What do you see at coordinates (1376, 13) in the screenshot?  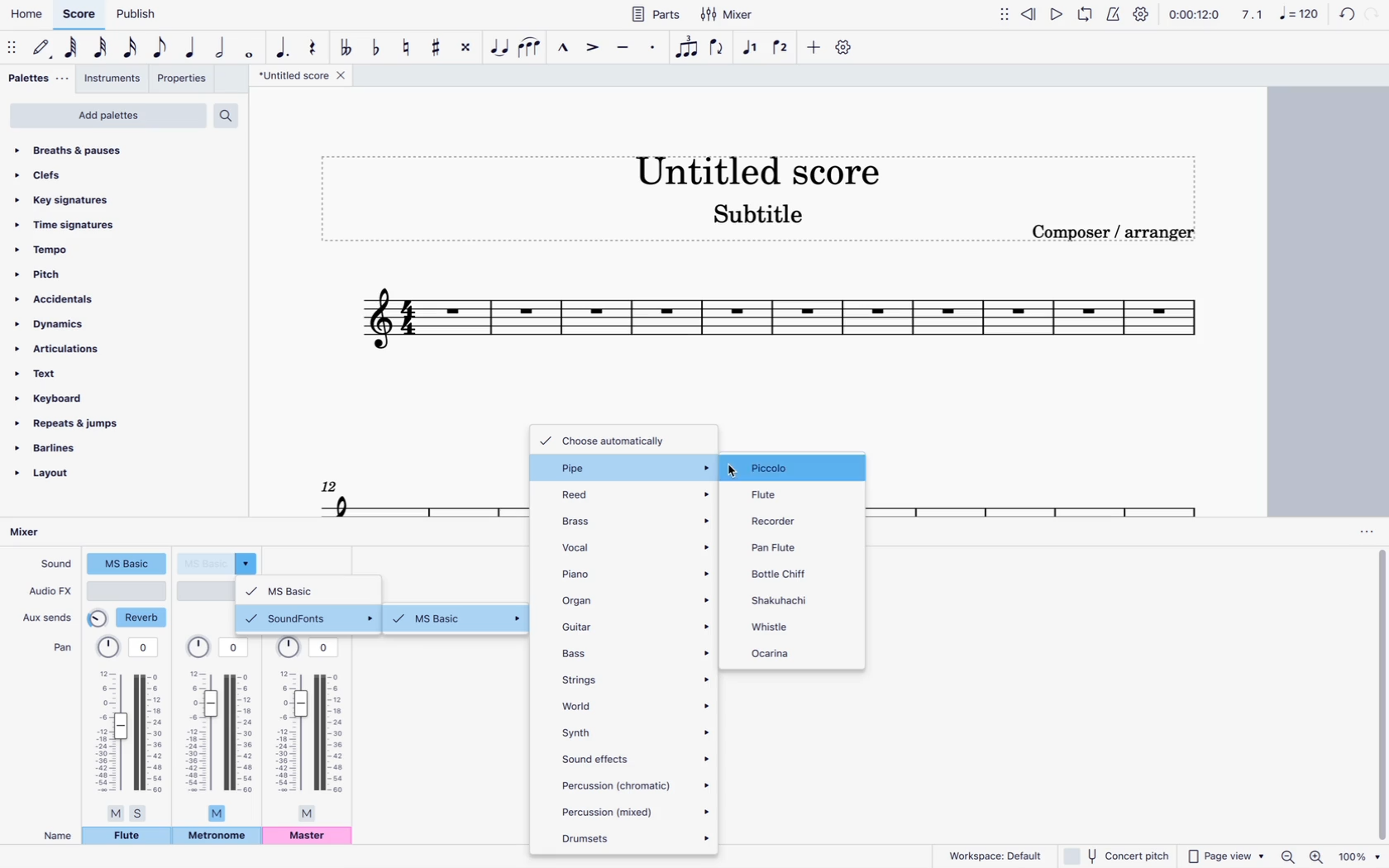 I see `forward` at bounding box center [1376, 13].